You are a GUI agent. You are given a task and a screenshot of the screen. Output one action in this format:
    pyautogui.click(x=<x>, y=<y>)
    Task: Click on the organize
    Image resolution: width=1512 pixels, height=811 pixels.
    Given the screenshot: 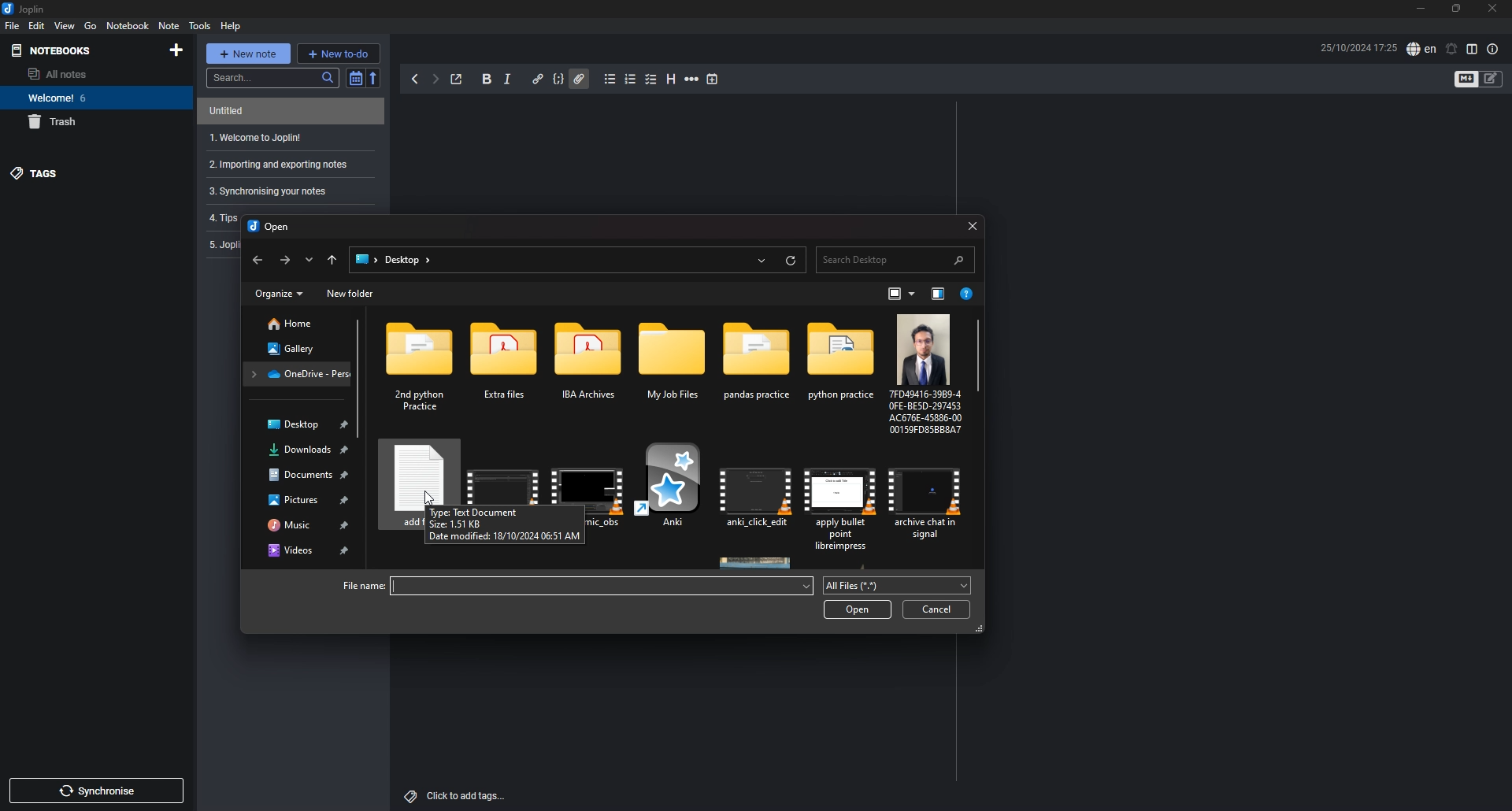 What is the action you would take?
    pyautogui.click(x=279, y=294)
    